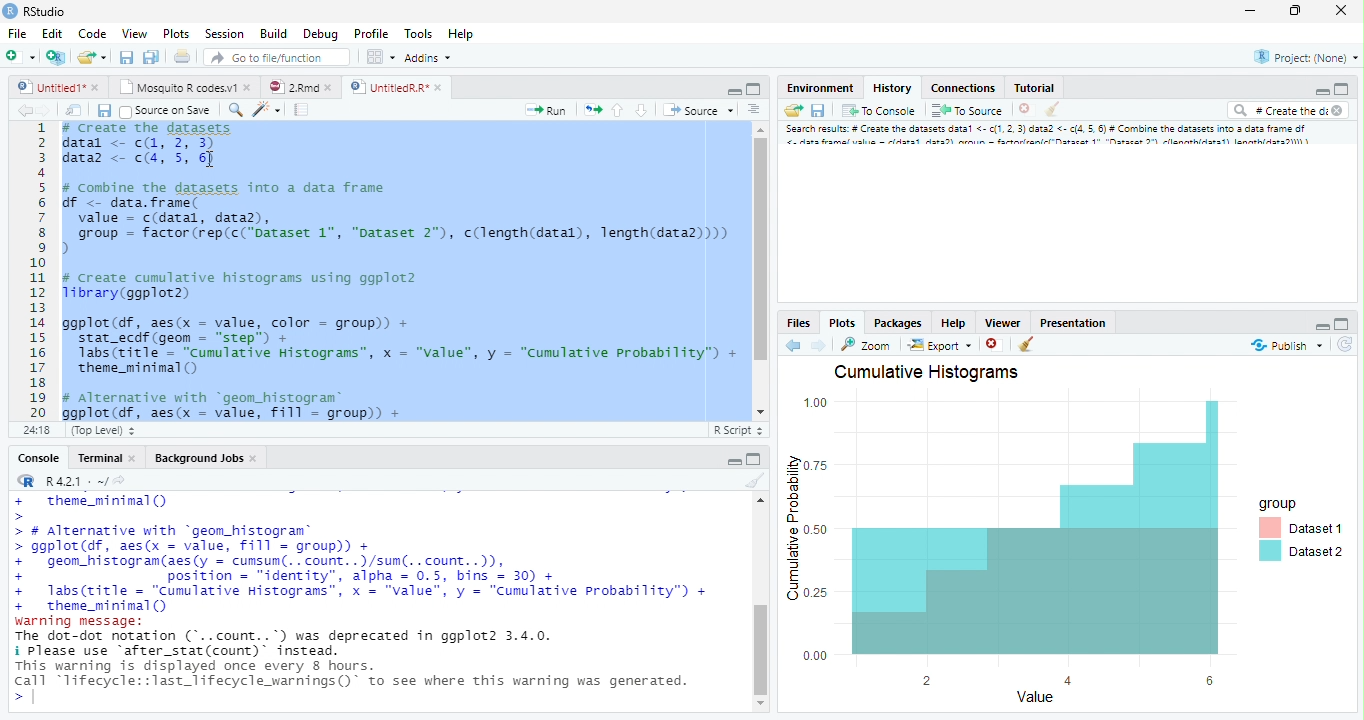 The image size is (1364, 720). I want to click on Terminal, so click(107, 457).